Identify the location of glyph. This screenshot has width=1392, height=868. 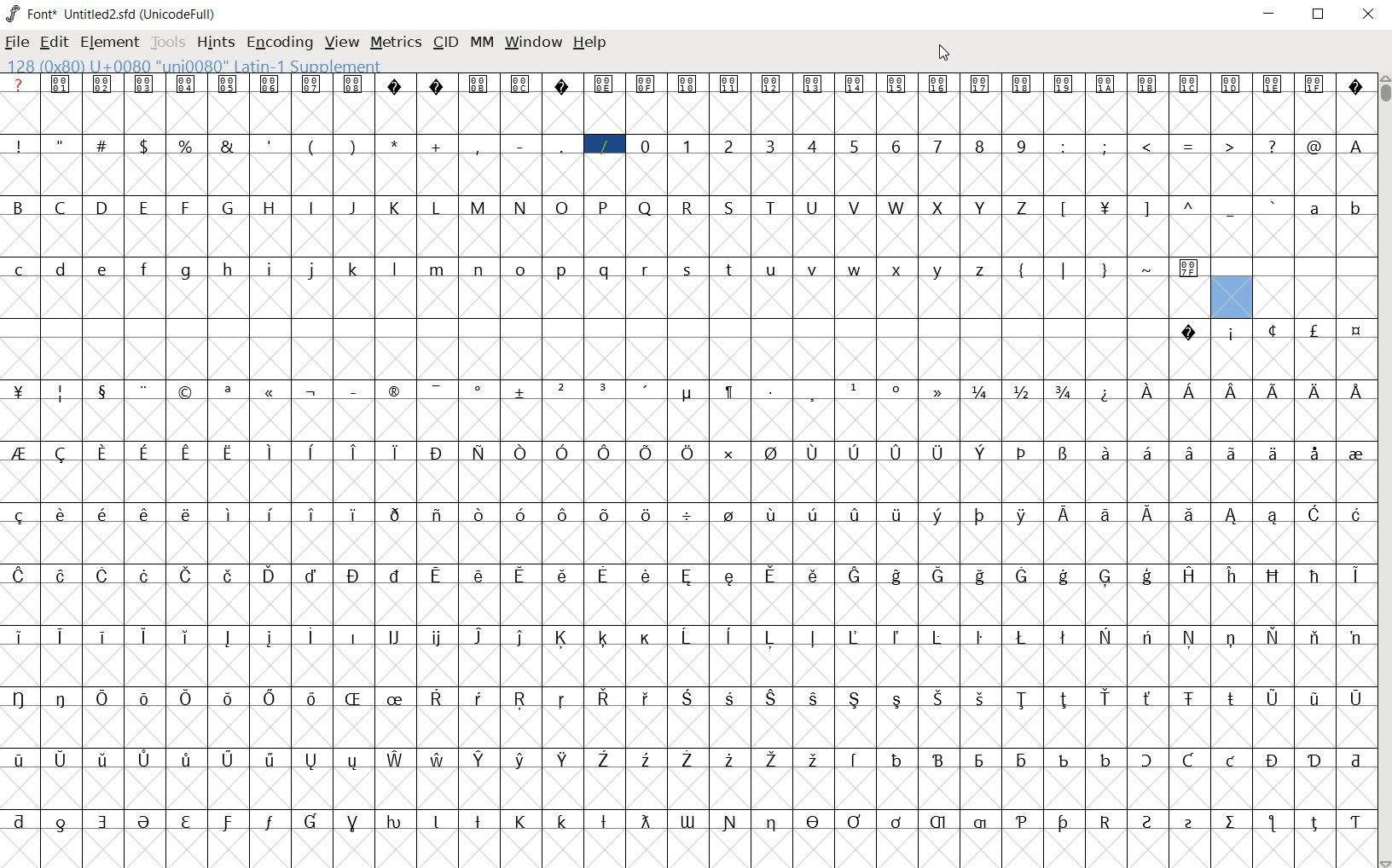
(391, 391).